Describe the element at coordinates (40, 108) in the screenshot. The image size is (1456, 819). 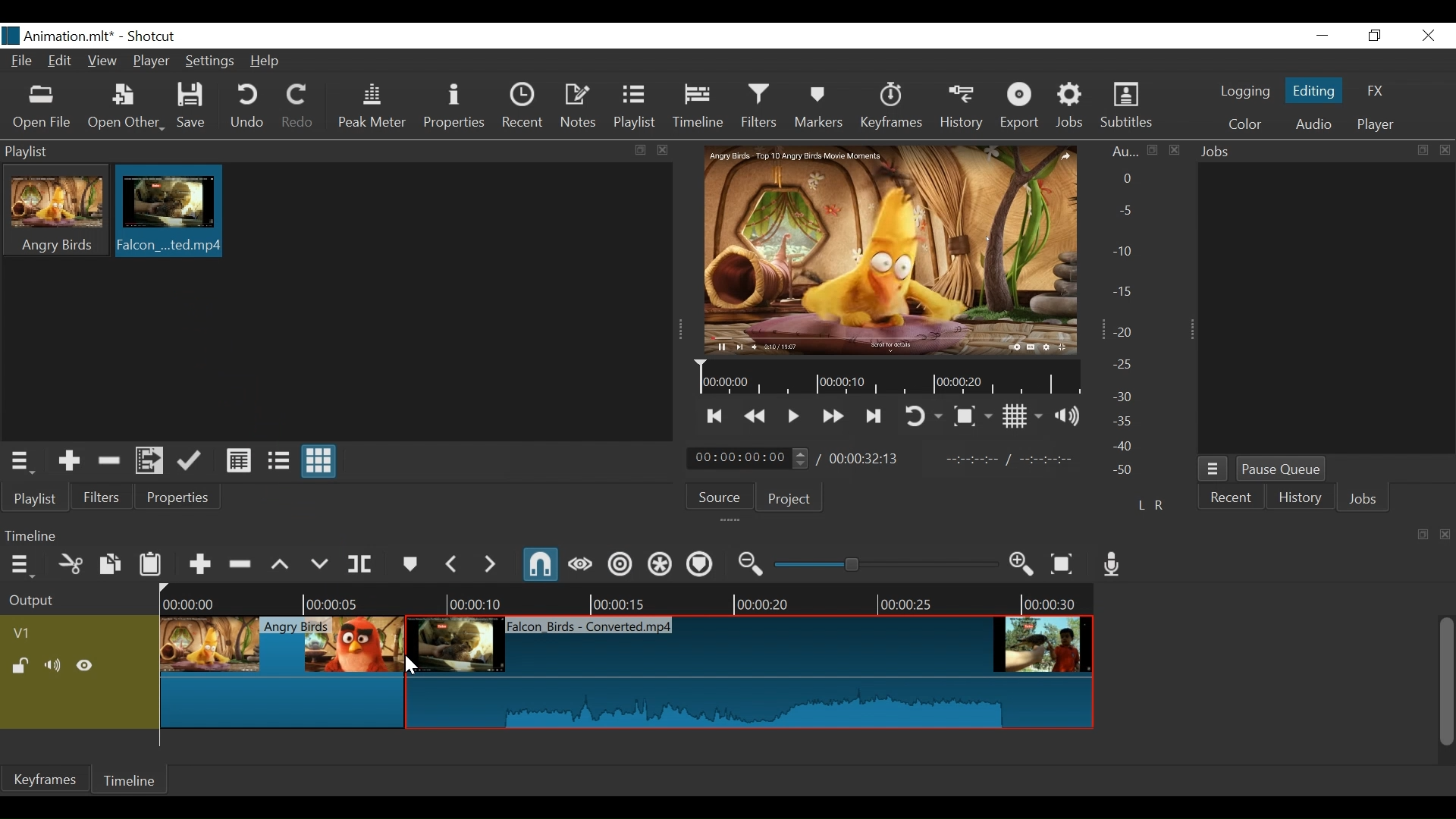
I see `Open File` at that location.